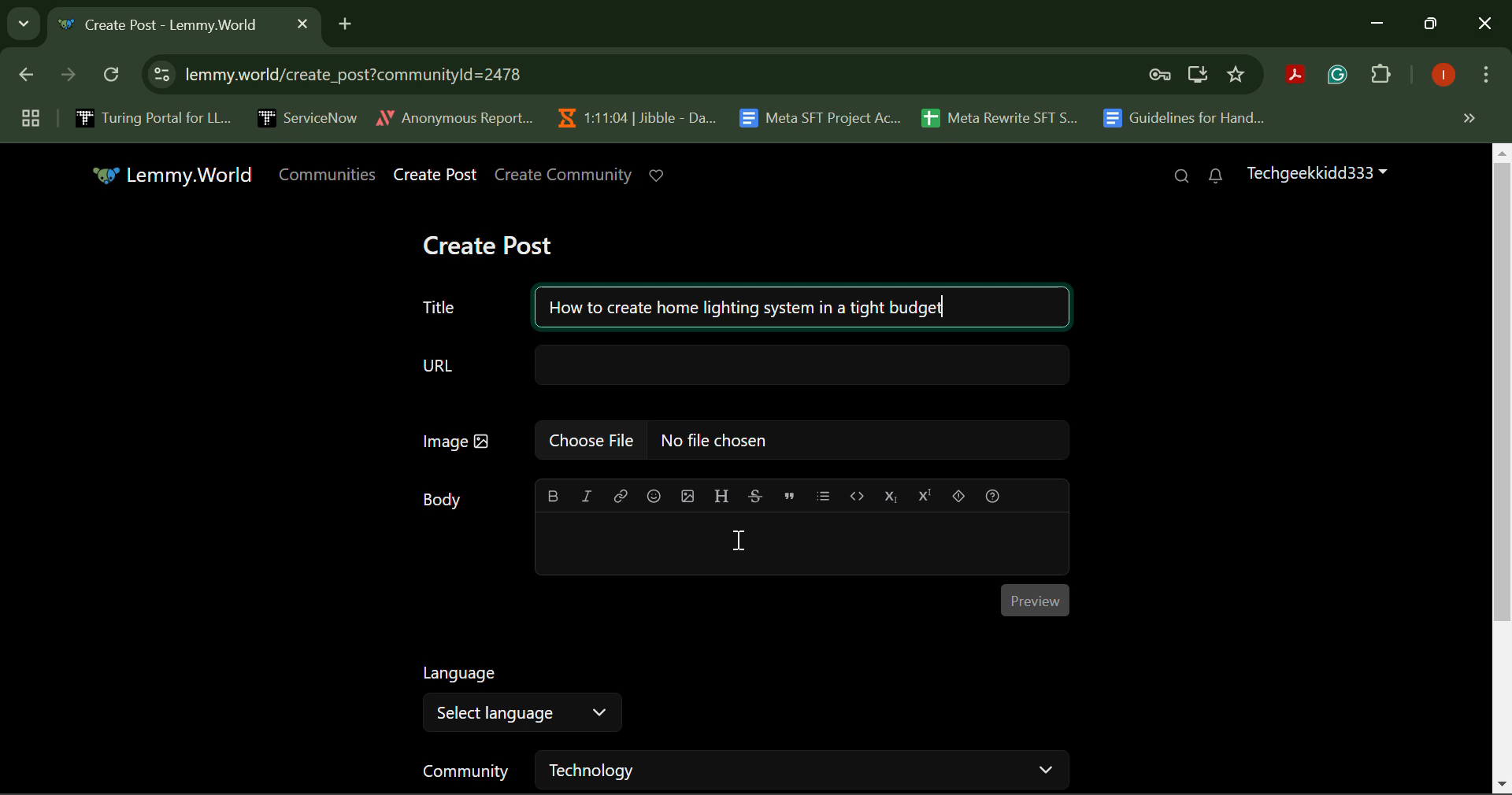  Describe the element at coordinates (1381, 77) in the screenshot. I see `Plugins` at that location.